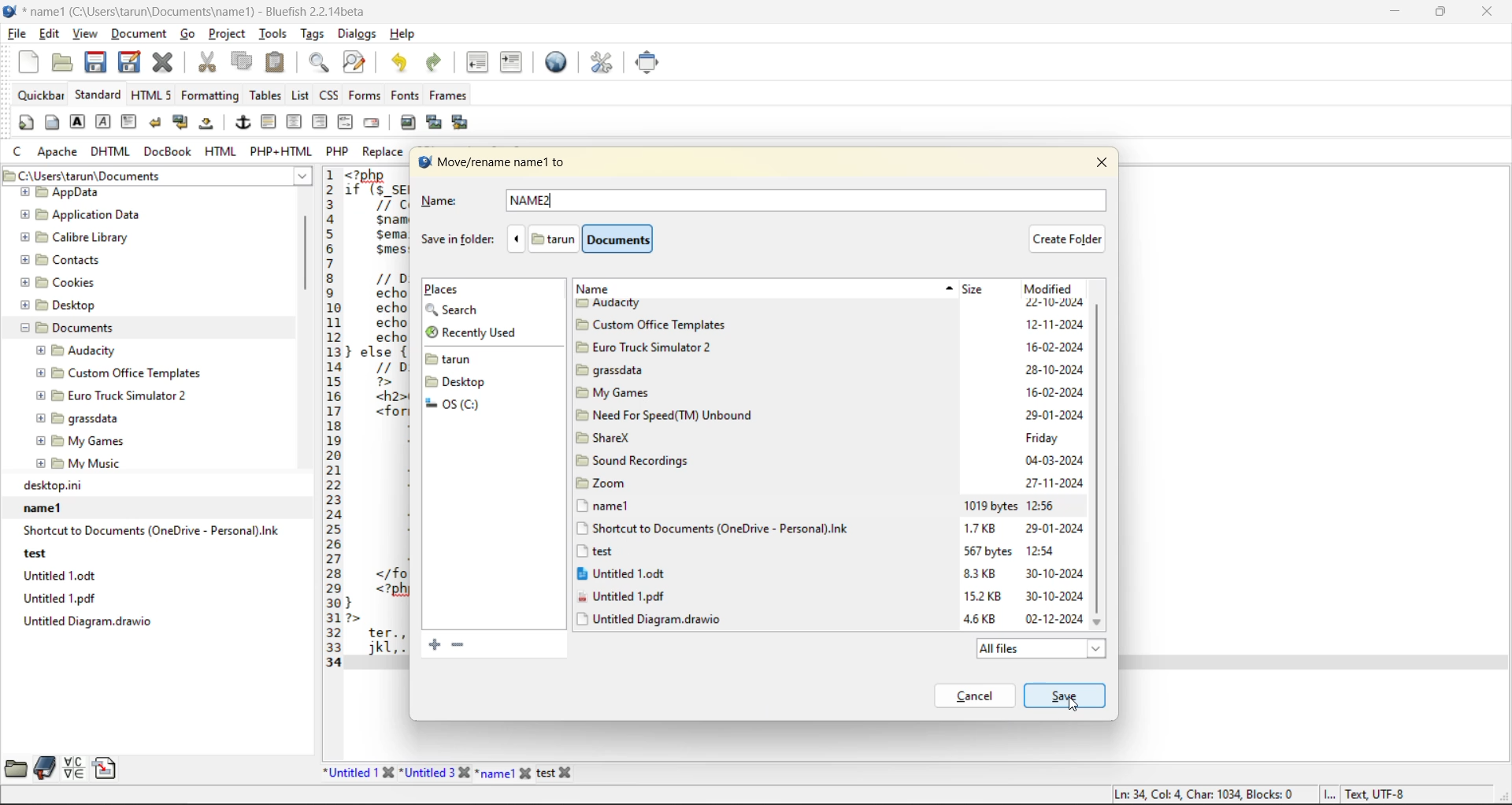 The height and width of the screenshot is (805, 1512). Describe the element at coordinates (158, 124) in the screenshot. I see `break` at that location.